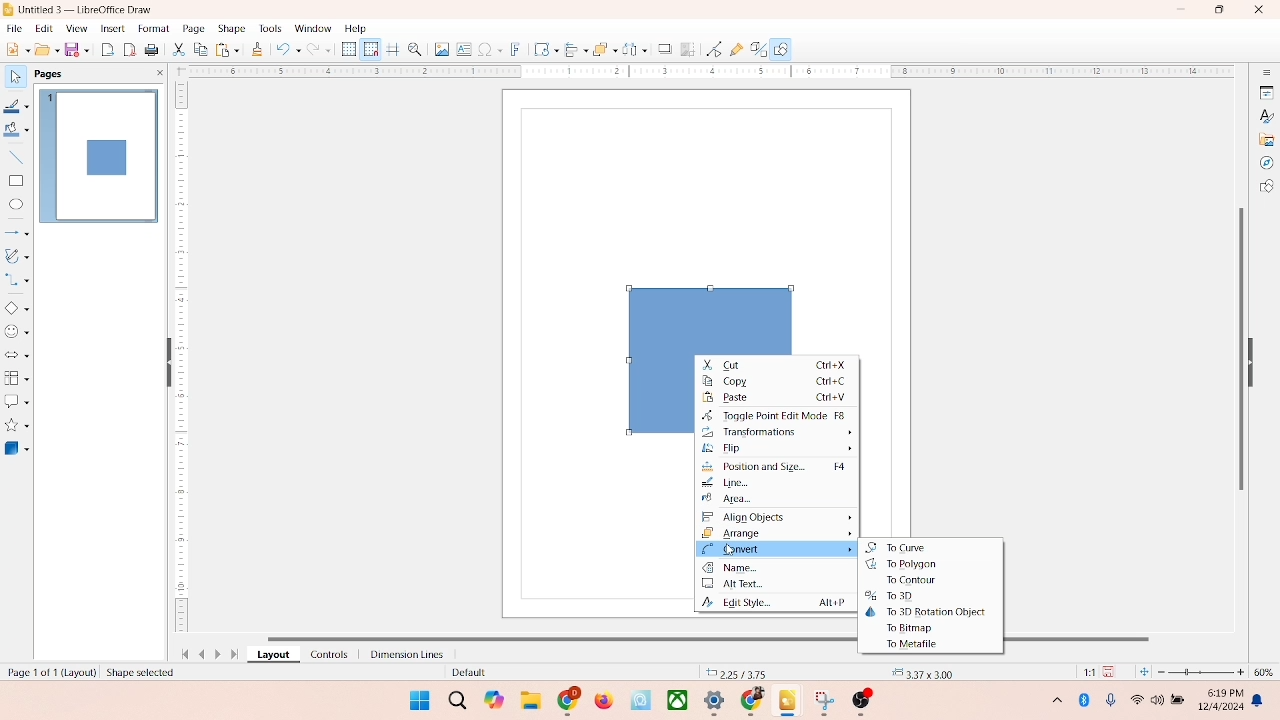 The width and height of the screenshot is (1280, 720). What do you see at coordinates (1054, 699) in the screenshot?
I see `more` at bounding box center [1054, 699].